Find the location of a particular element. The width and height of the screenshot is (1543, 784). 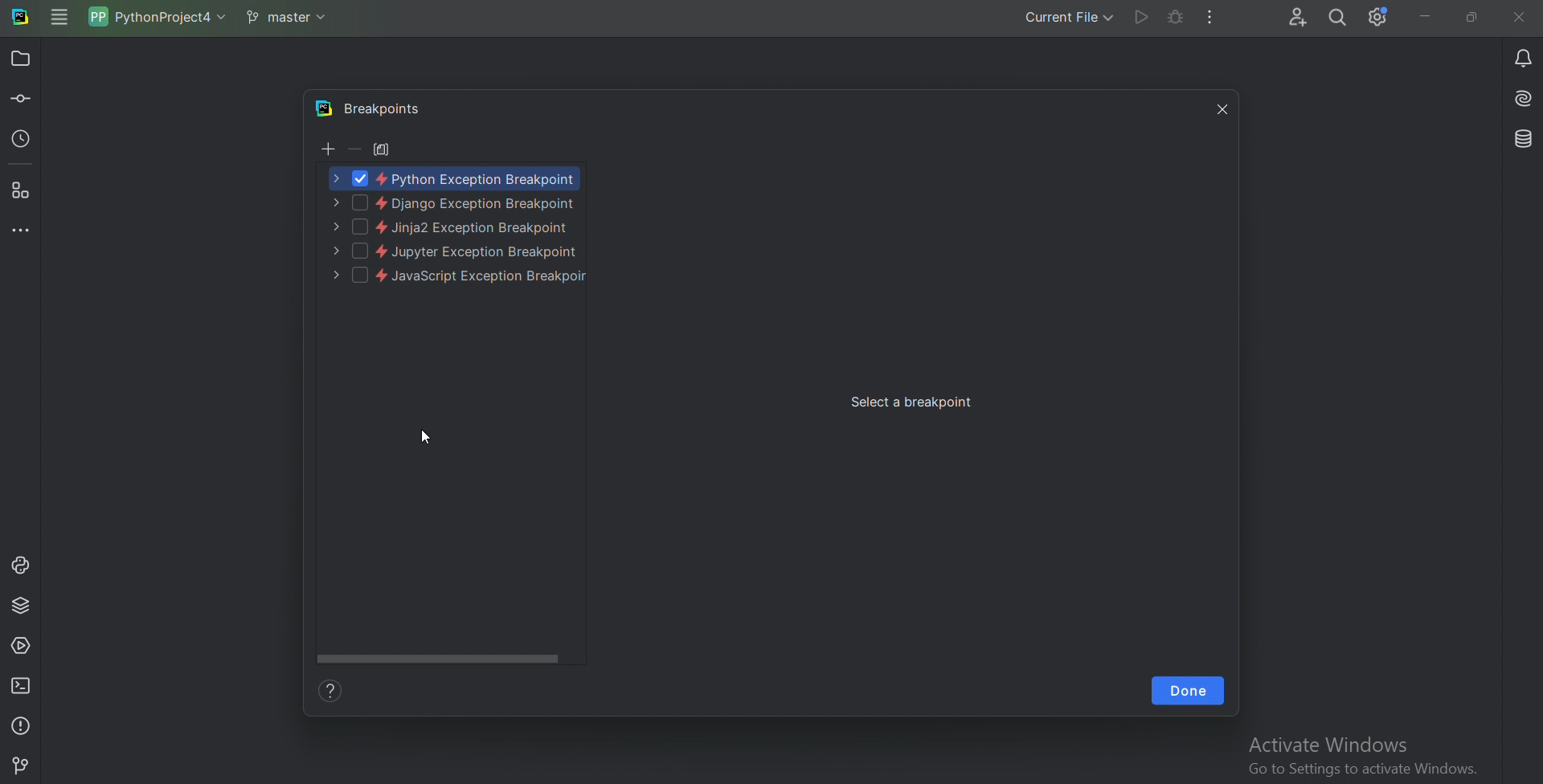

Debug is located at coordinates (1174, 18).